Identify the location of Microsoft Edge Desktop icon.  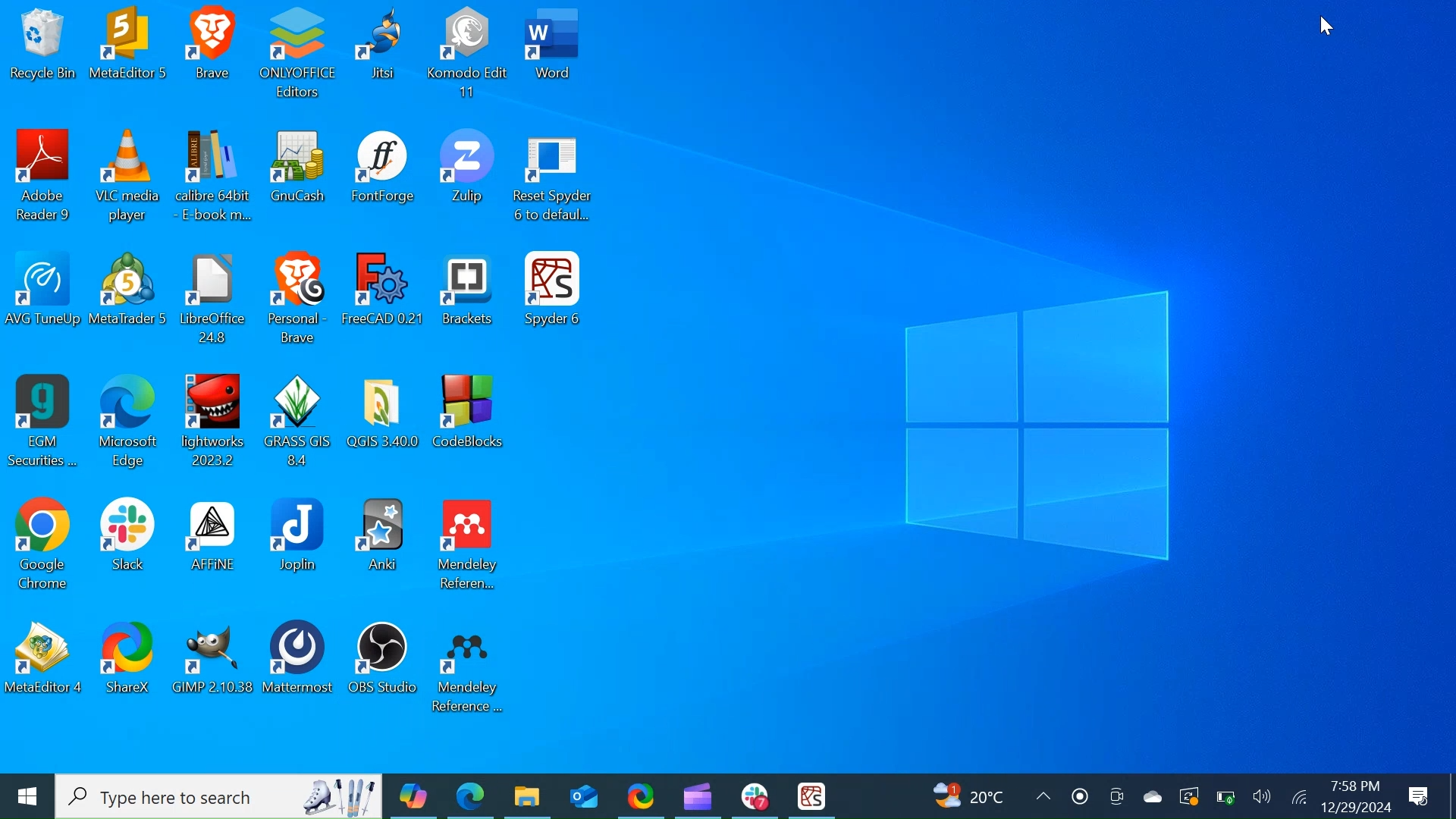
(128, 422).